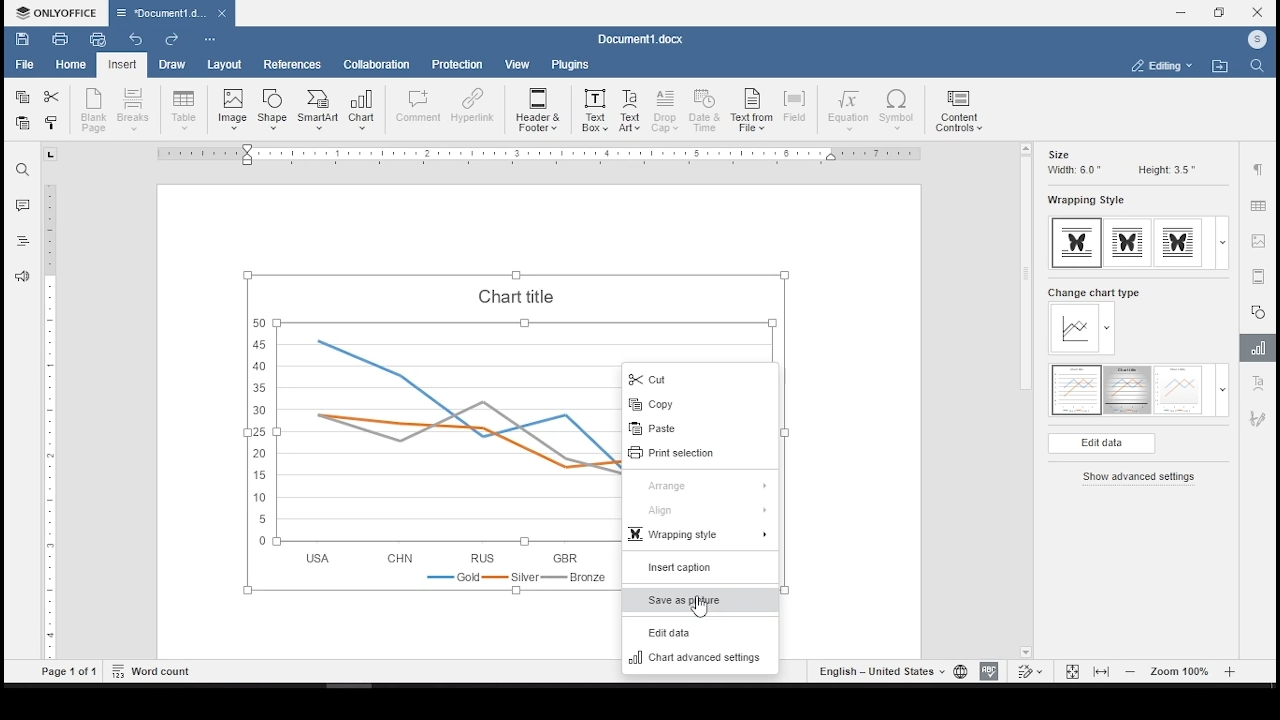 The width and height of the screenshot is (1280, 720). I want to click on word count, so click(155, 670).